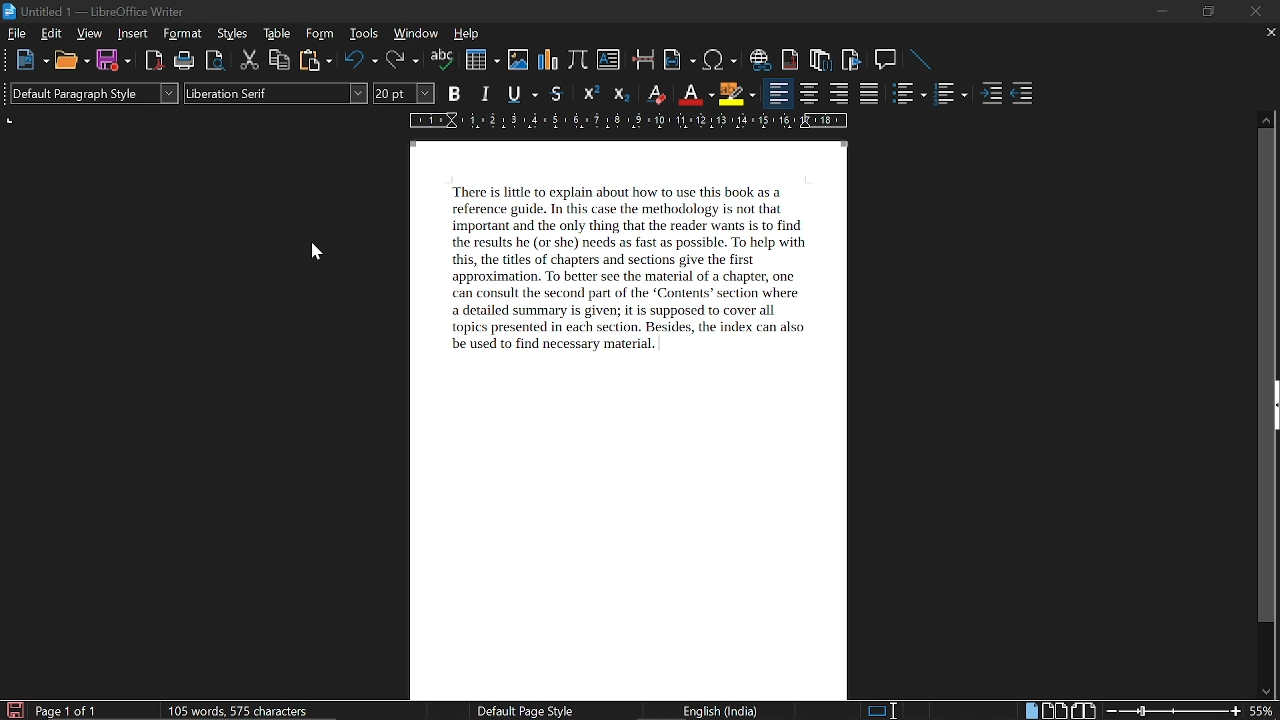  What do you see at coordinates (577, 61) in the screenshot?
I see `insert formula` at bounding box center [577, 61].